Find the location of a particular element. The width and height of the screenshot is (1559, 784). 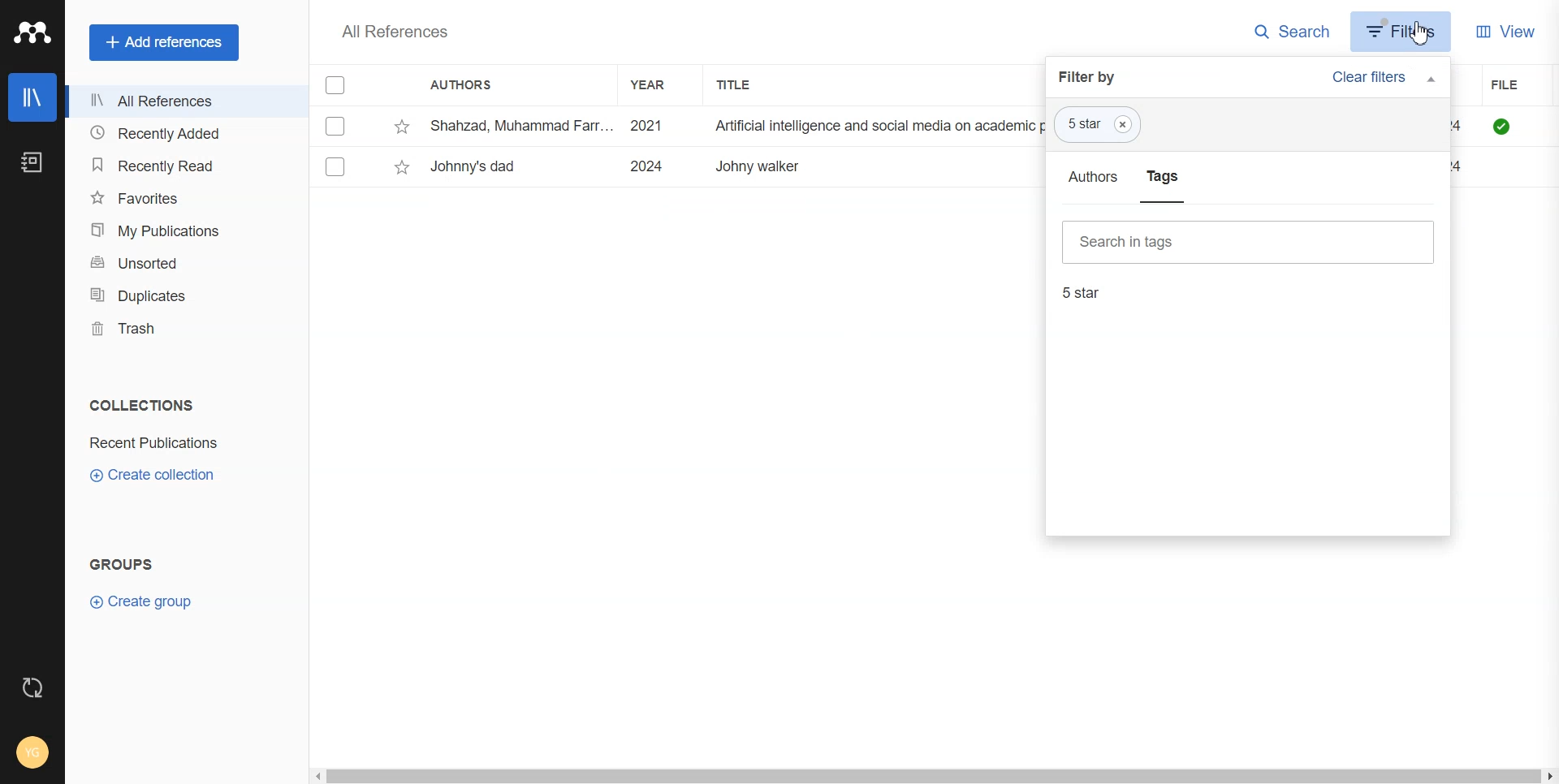

Add references is located at coordinates (164, 42).